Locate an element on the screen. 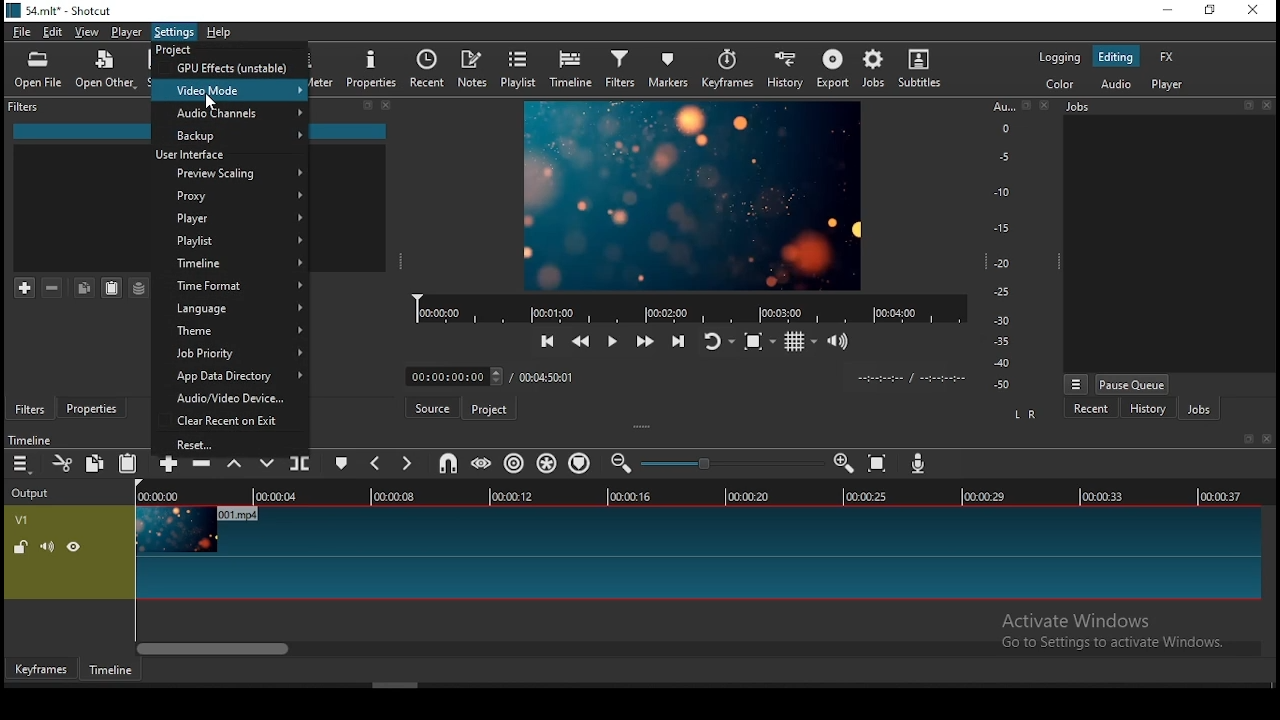  fx is located at coordinates (1169, 58).